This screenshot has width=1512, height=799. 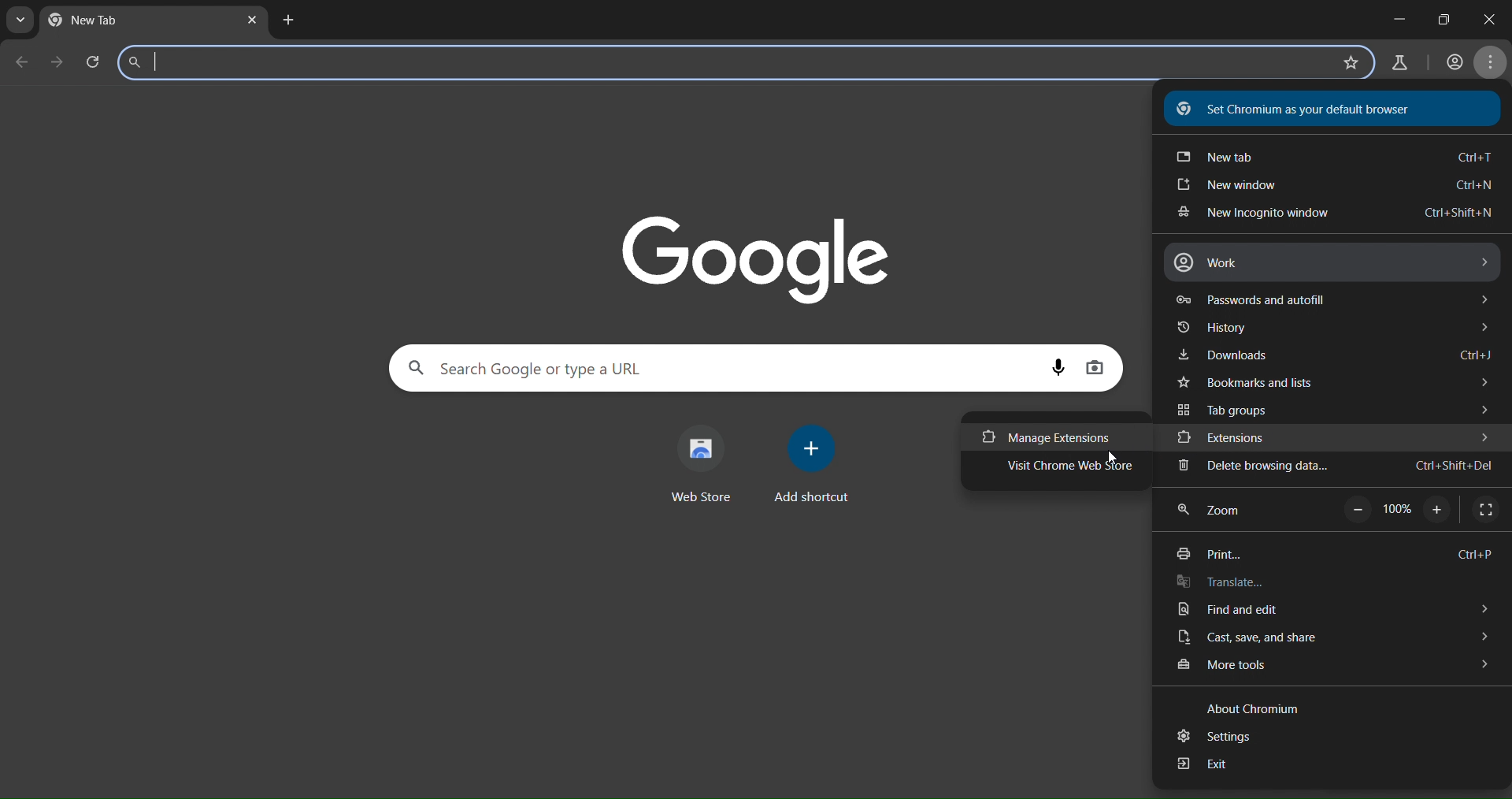 What do you see at coordinates (252, 20) in the screenshot?
I see `close tab` at bounding box center [252, 20].